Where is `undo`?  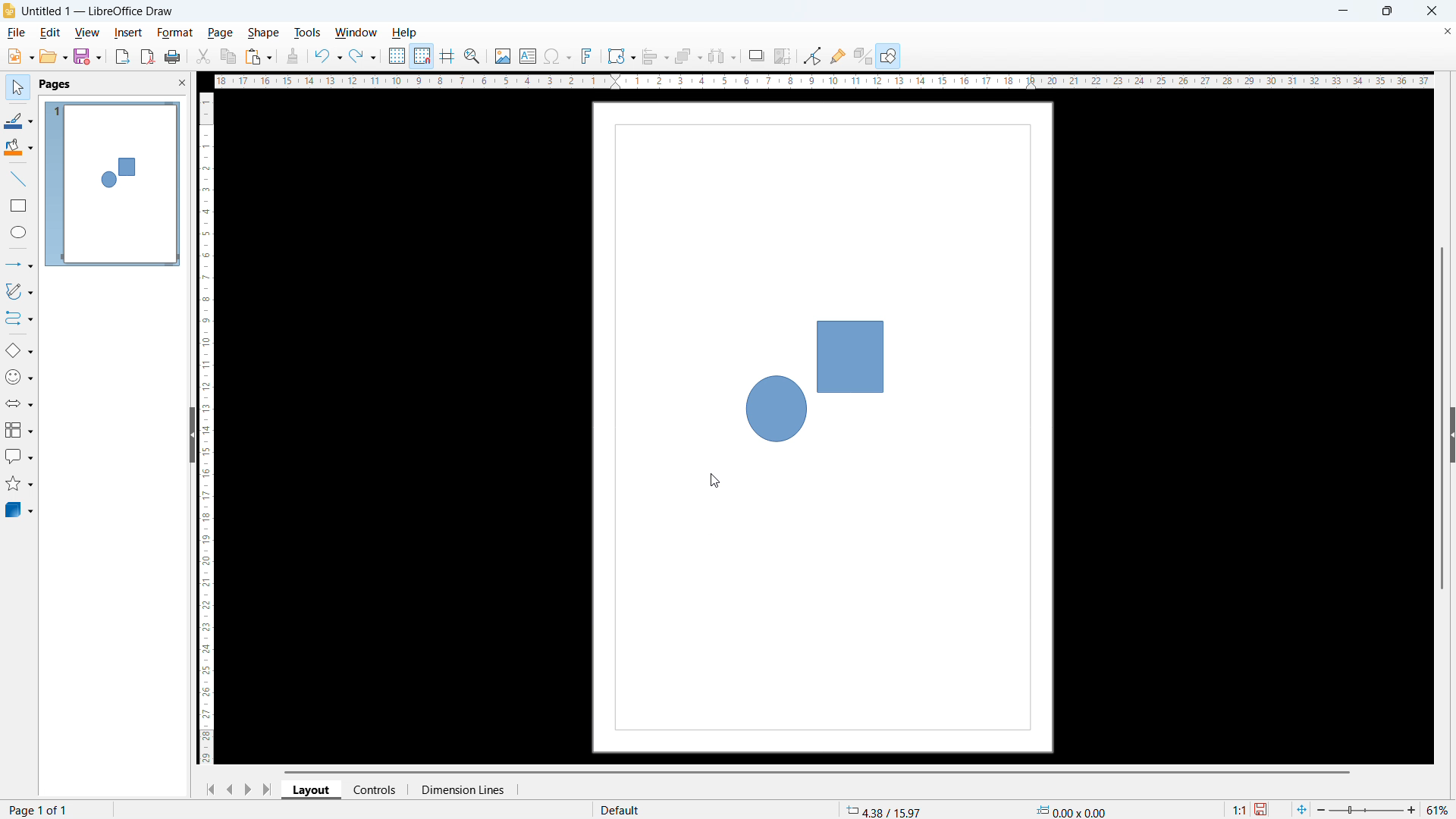 undo is located at coordinates (328, 57).